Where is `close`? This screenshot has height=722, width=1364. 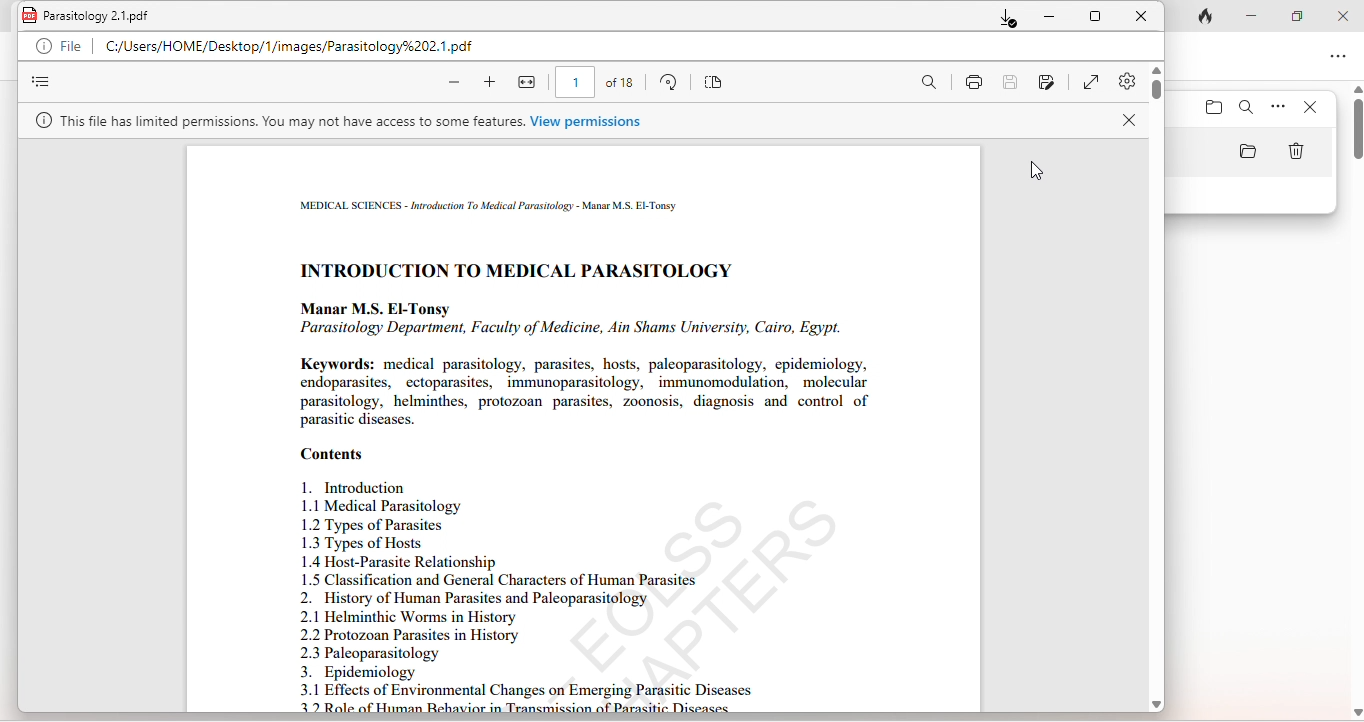
close is located at coordinates (1344, 14).